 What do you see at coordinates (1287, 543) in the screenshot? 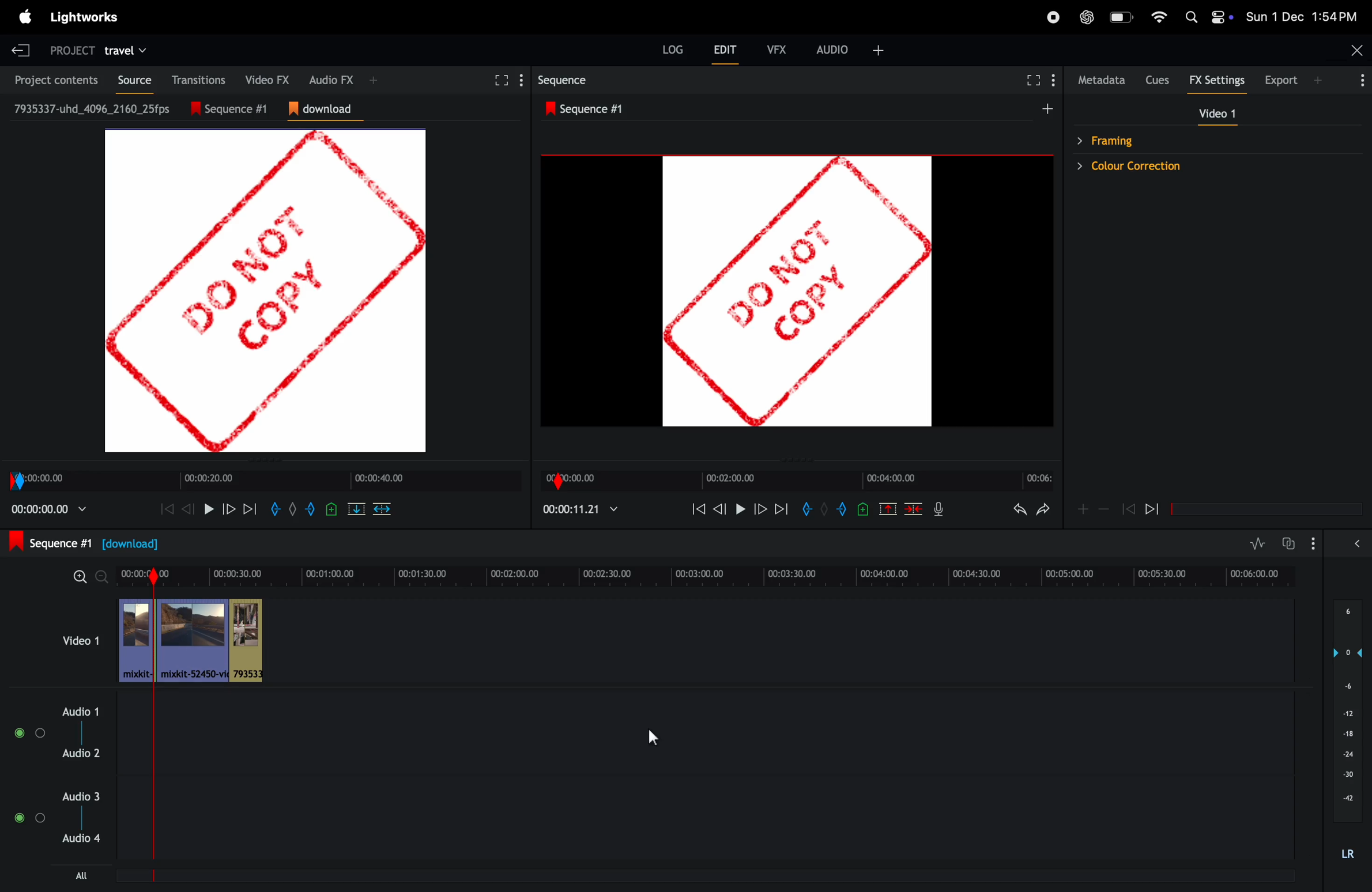
I see `toggle auto track sync` at bounding box center [1287, 543].